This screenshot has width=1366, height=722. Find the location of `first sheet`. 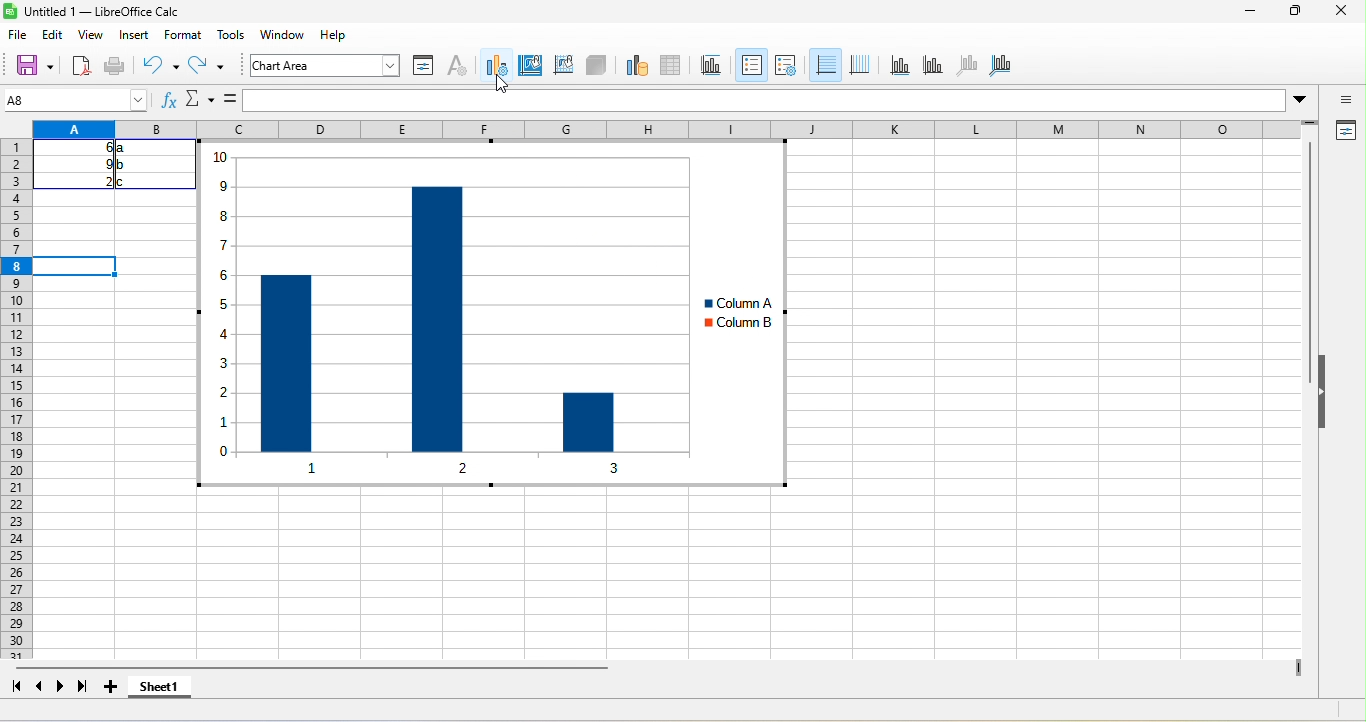

first sheet is located at coordinates (16, 688).